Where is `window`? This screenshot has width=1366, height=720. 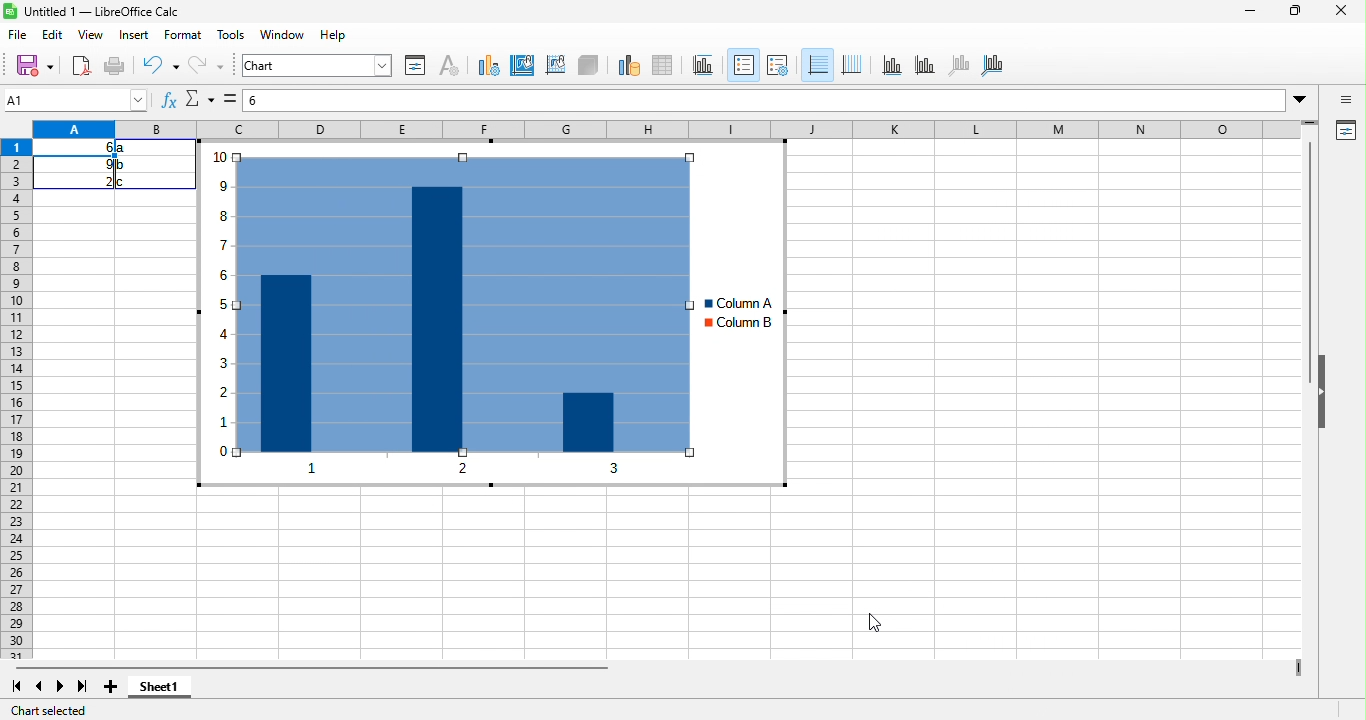
window is located at coordinates (284, 35).